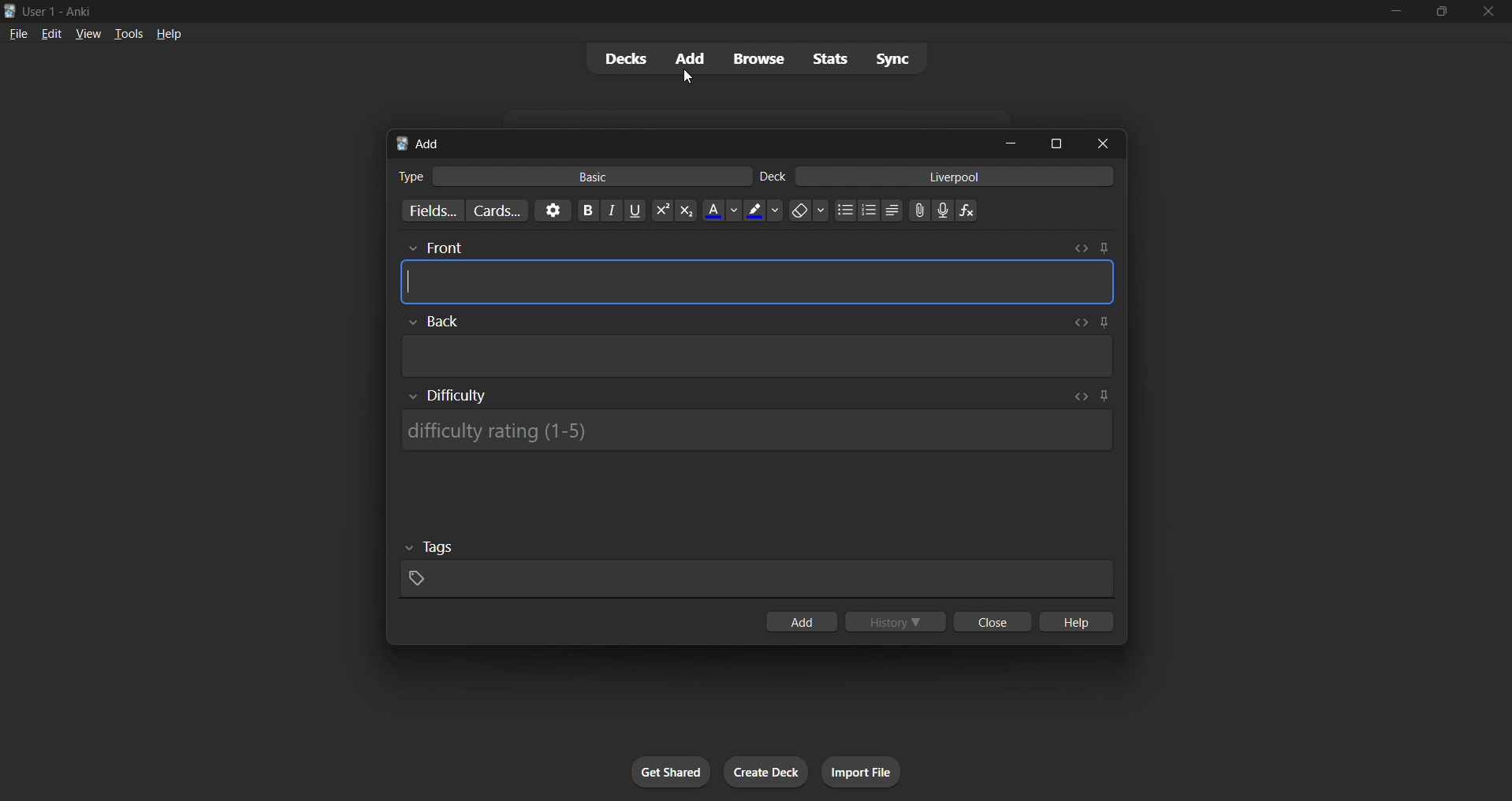 Image resolution: width=1512 pixels, height=801 pixels. Describe the element at coordinates (940, 179) in the screenshot. I see `card deck input box` at that location.